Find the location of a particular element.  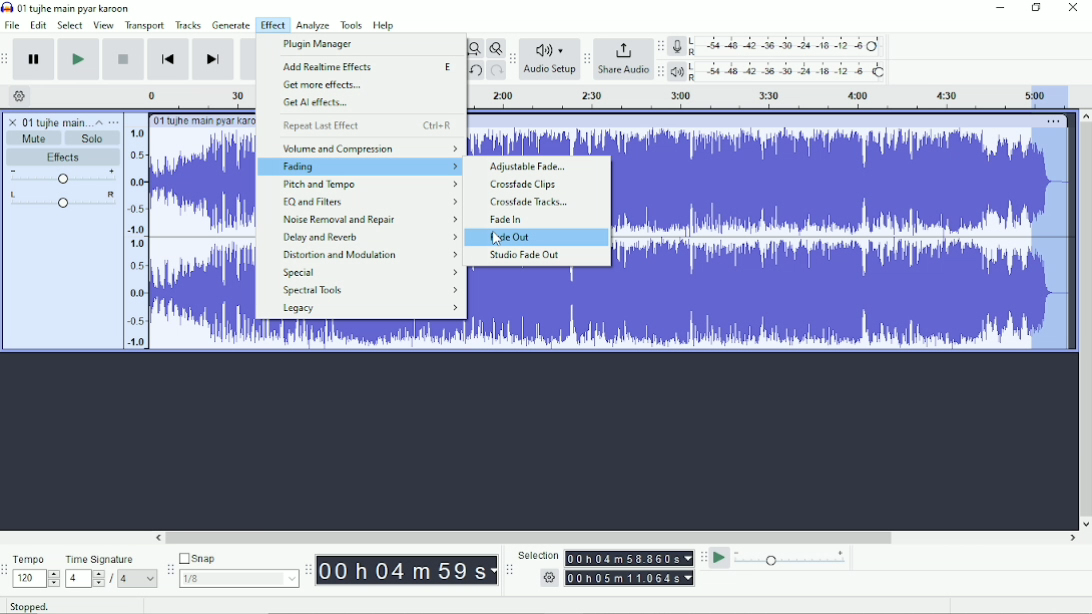

Fade Out is located at coordinates (512, 237).